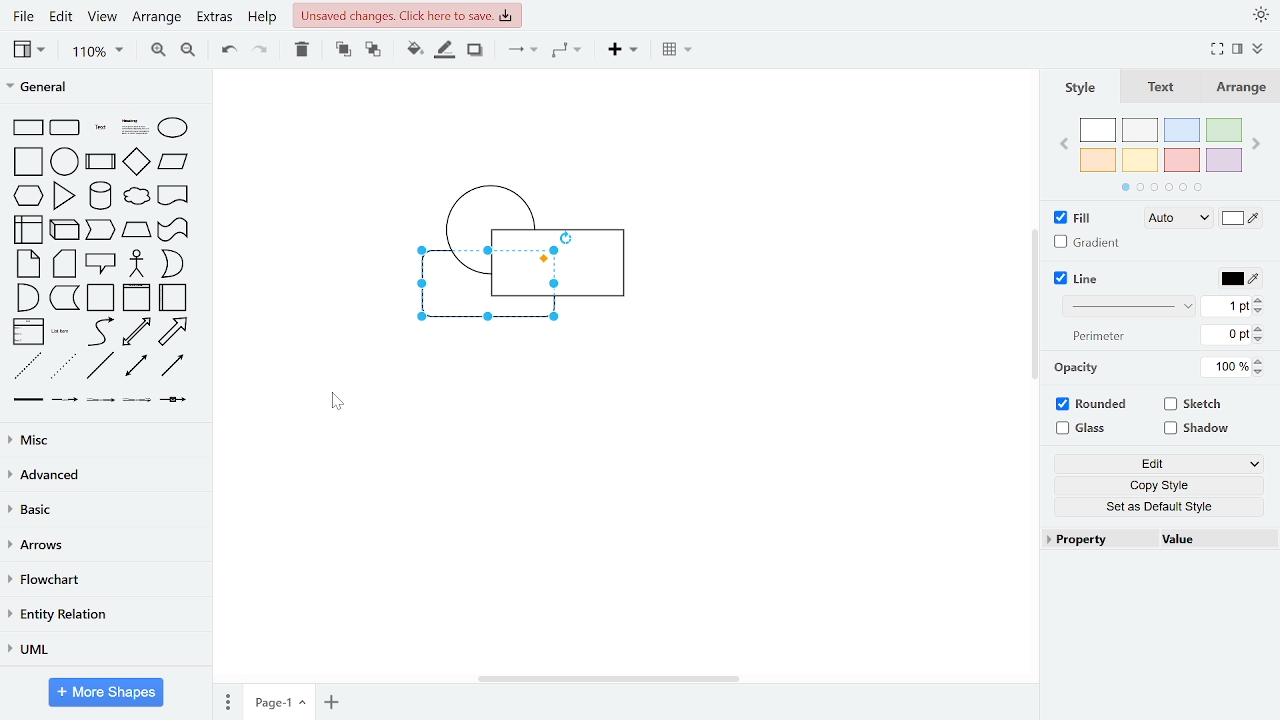  I want to click on flowchart, so click(106, 579).